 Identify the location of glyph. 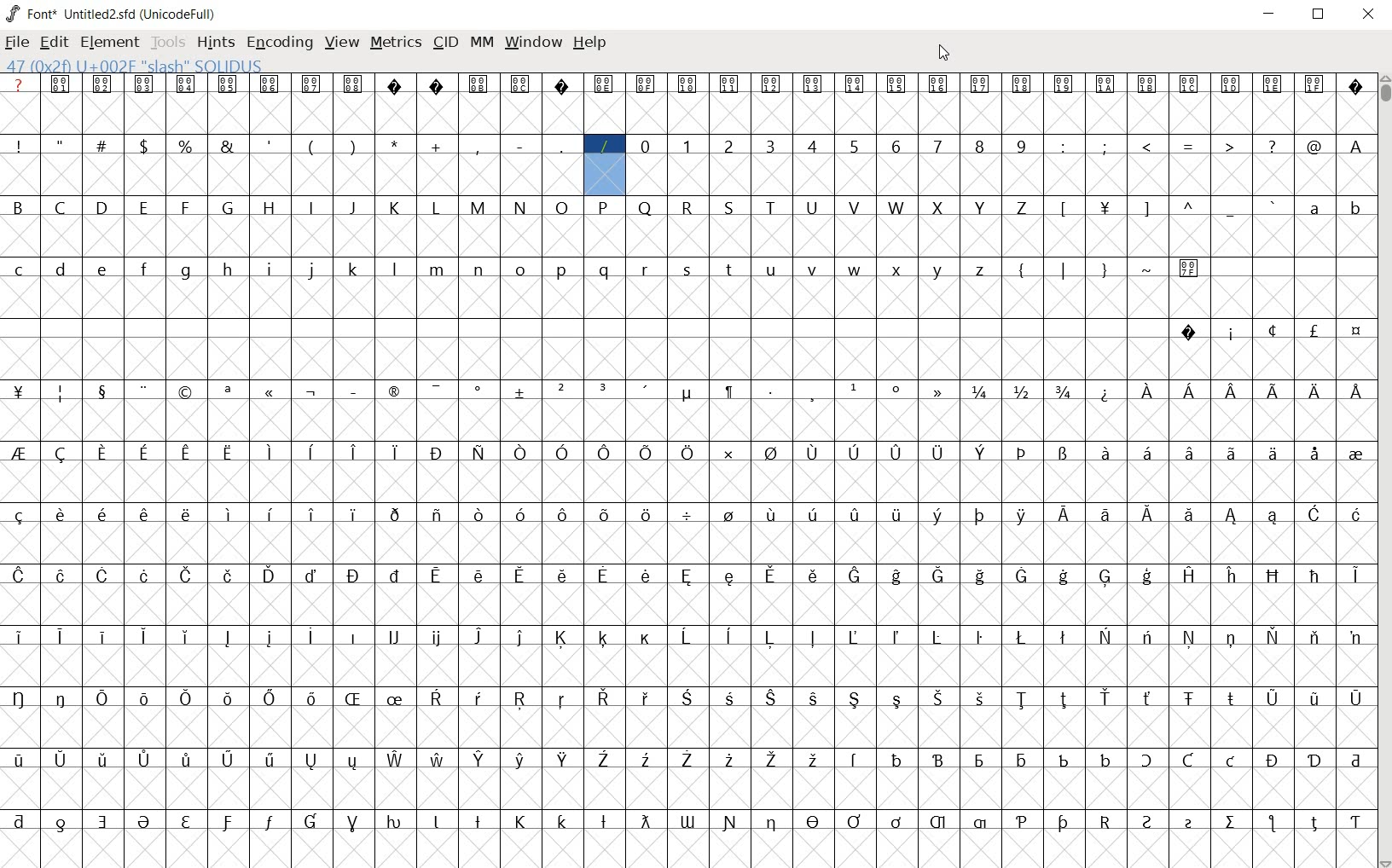
(1355, 699).